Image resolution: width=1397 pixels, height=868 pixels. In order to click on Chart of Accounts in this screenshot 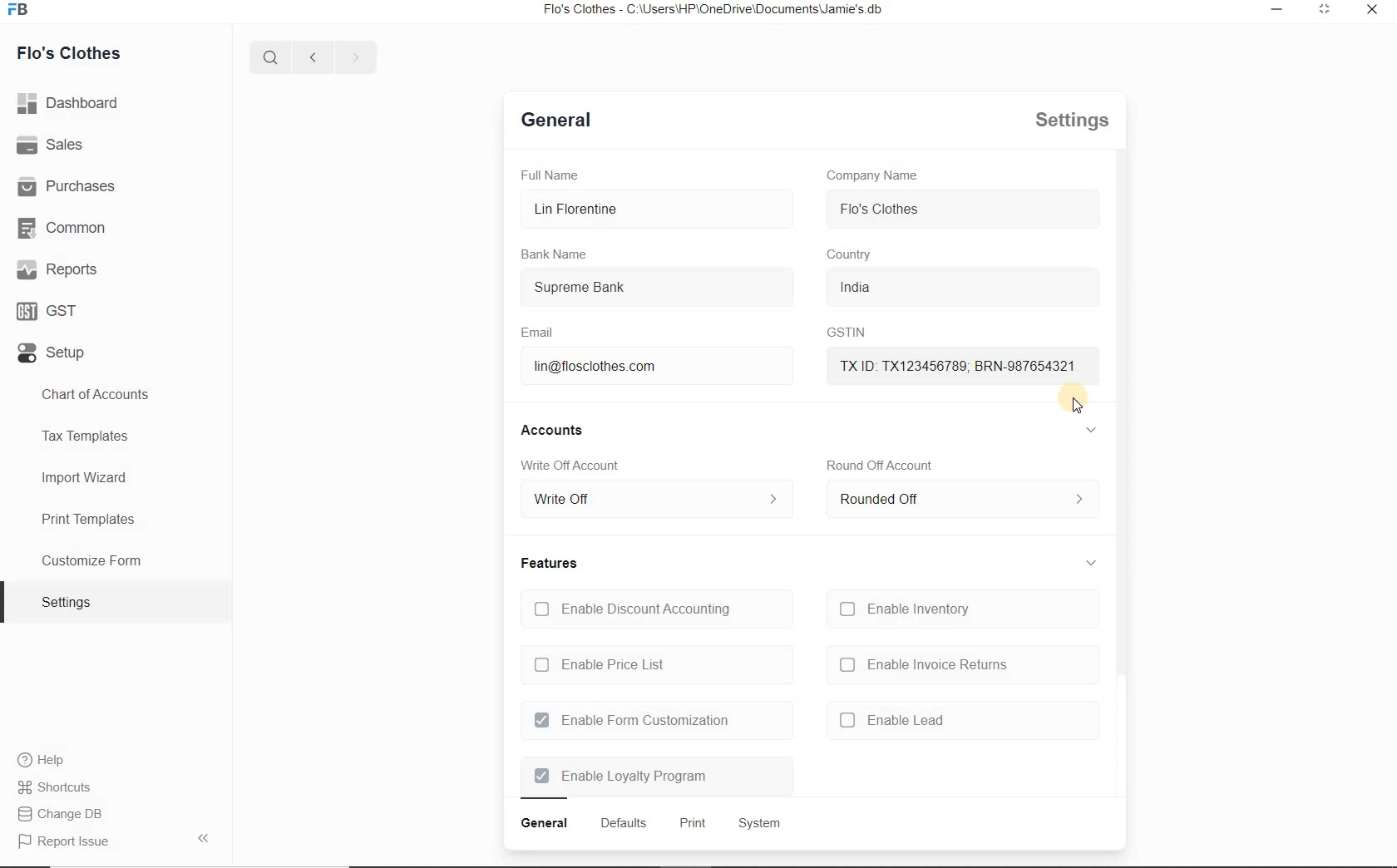, I will do `click(102, 395)`.